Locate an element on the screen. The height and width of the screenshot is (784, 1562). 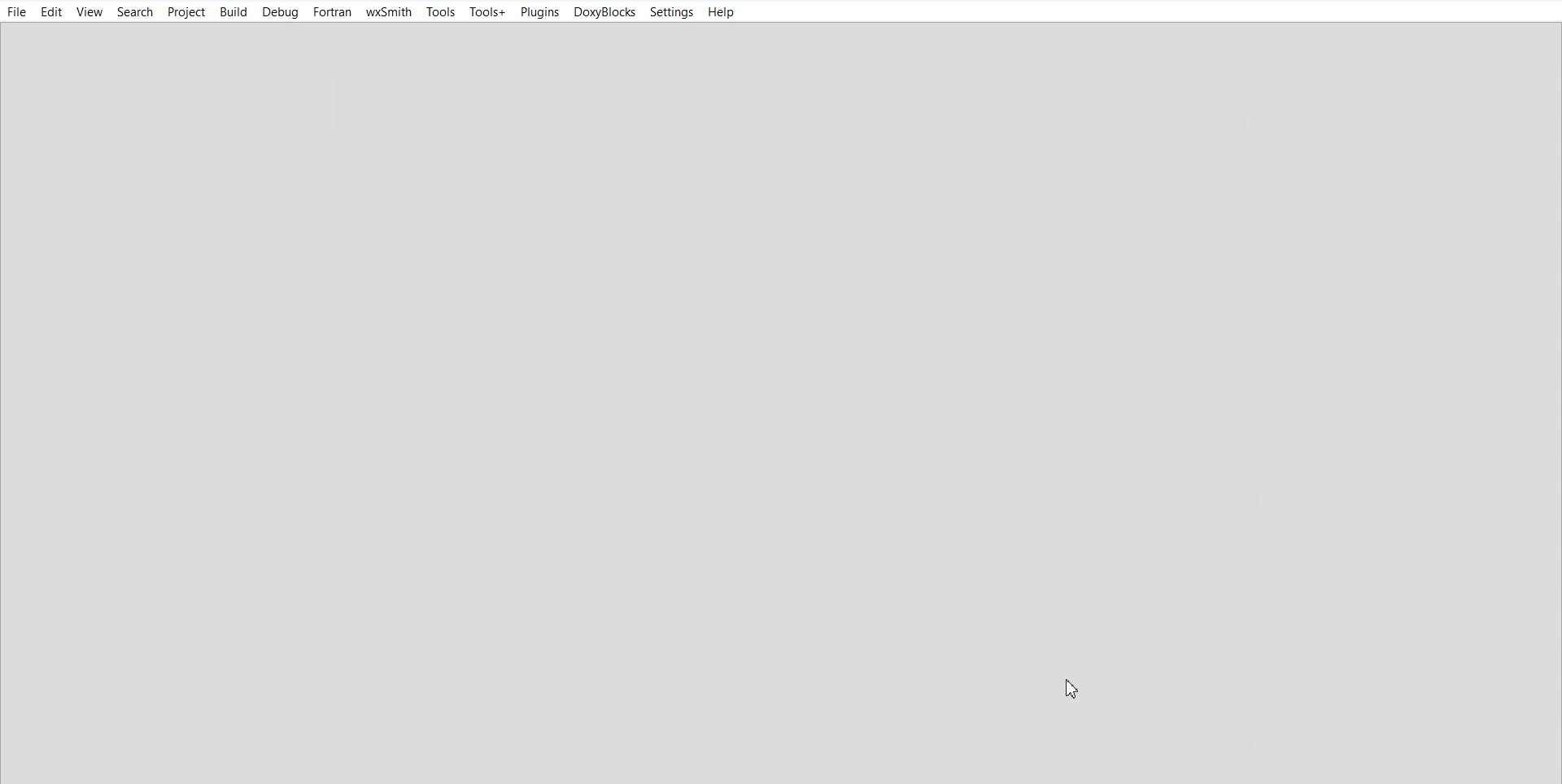
File is located at coordinates (17, 13).